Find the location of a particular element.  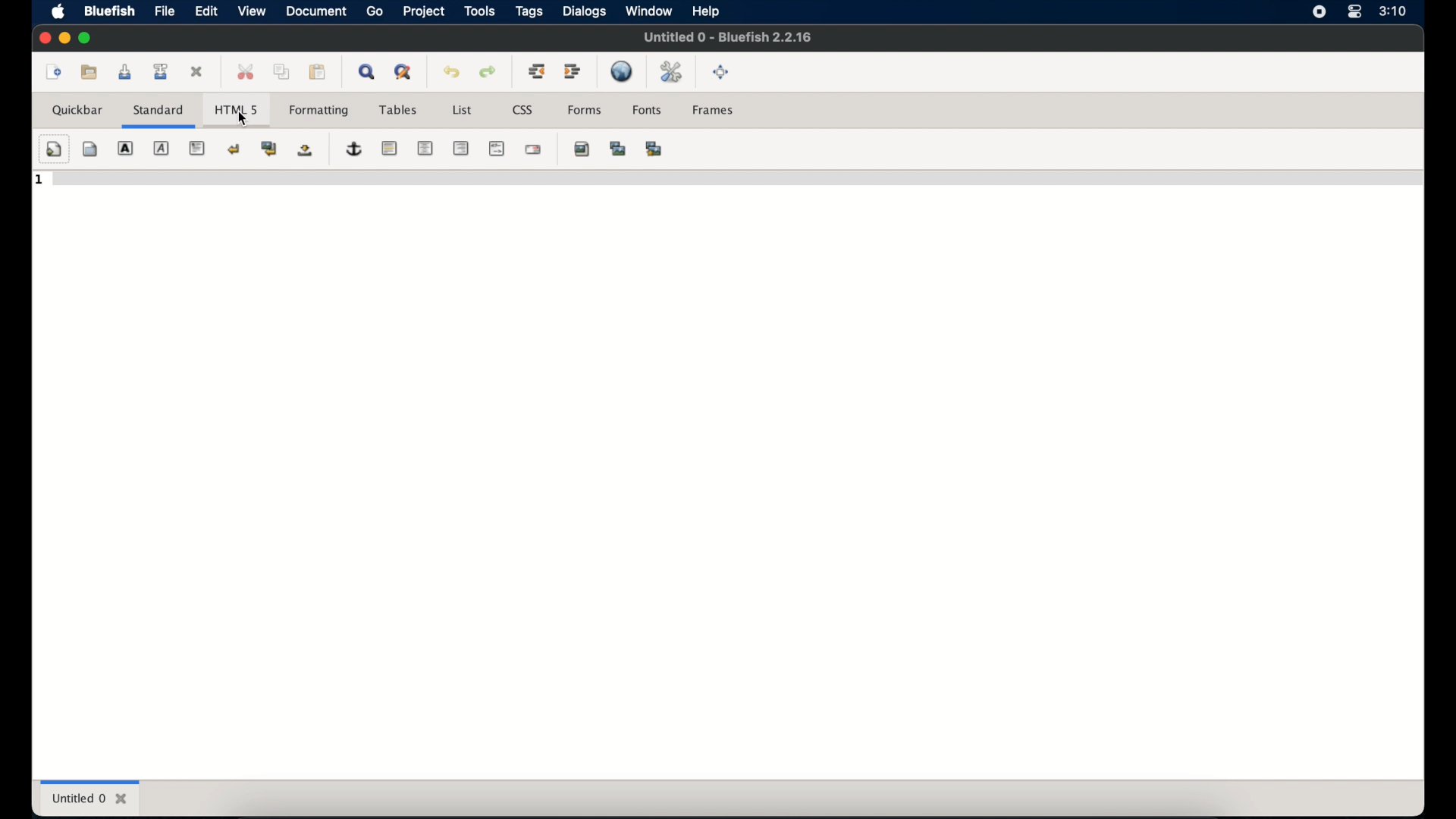

paragraph is located at coordinates (198, 149).